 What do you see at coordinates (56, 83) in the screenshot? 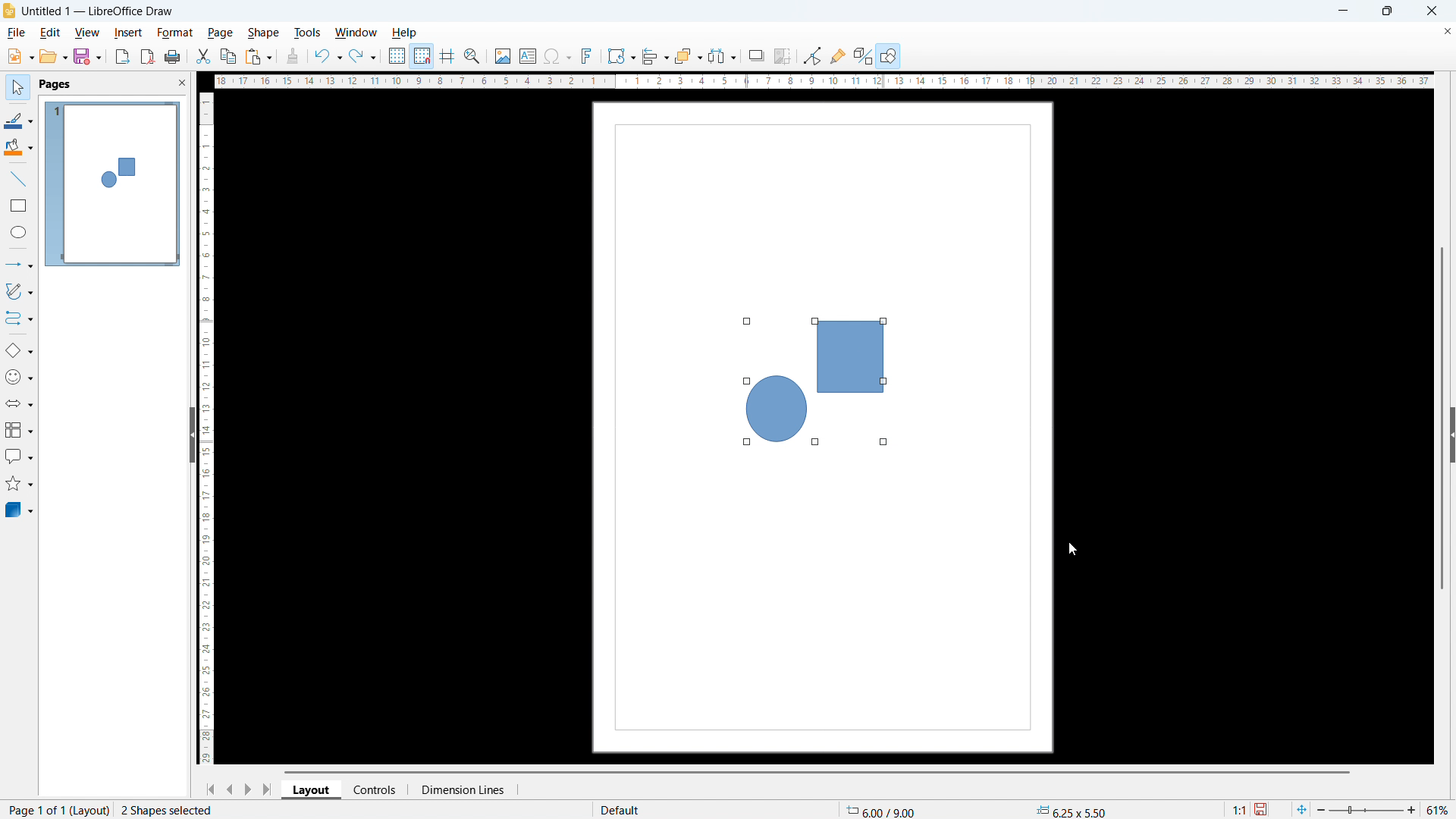
I see `pages` at bounding box center [56, 83].